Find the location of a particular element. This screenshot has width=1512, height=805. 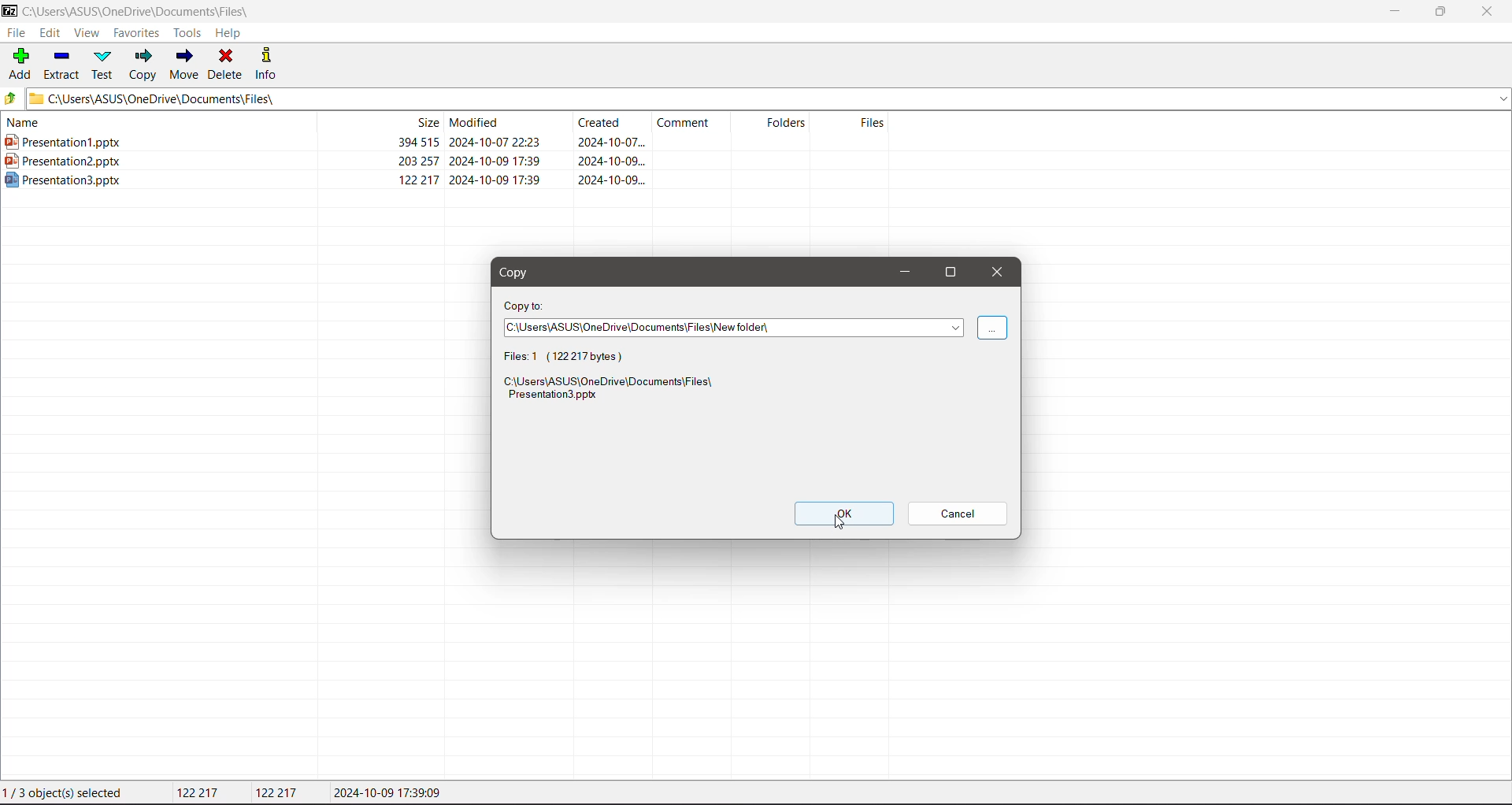

Move Up one level is located at coordinates (13, 98).